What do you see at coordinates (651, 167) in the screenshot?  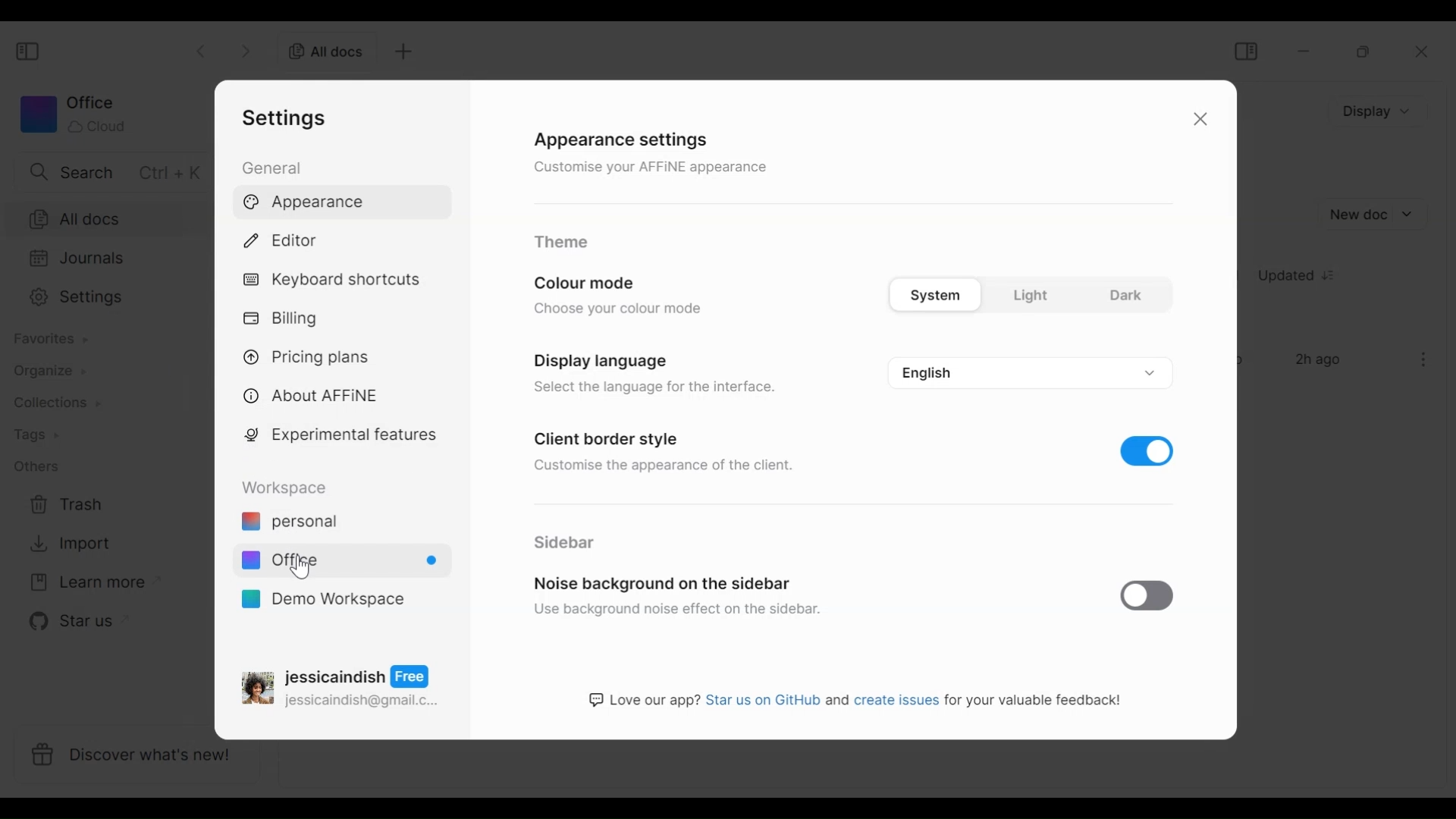 I see `Customise your AFFINE appearance` at bounding box center [651, 167].